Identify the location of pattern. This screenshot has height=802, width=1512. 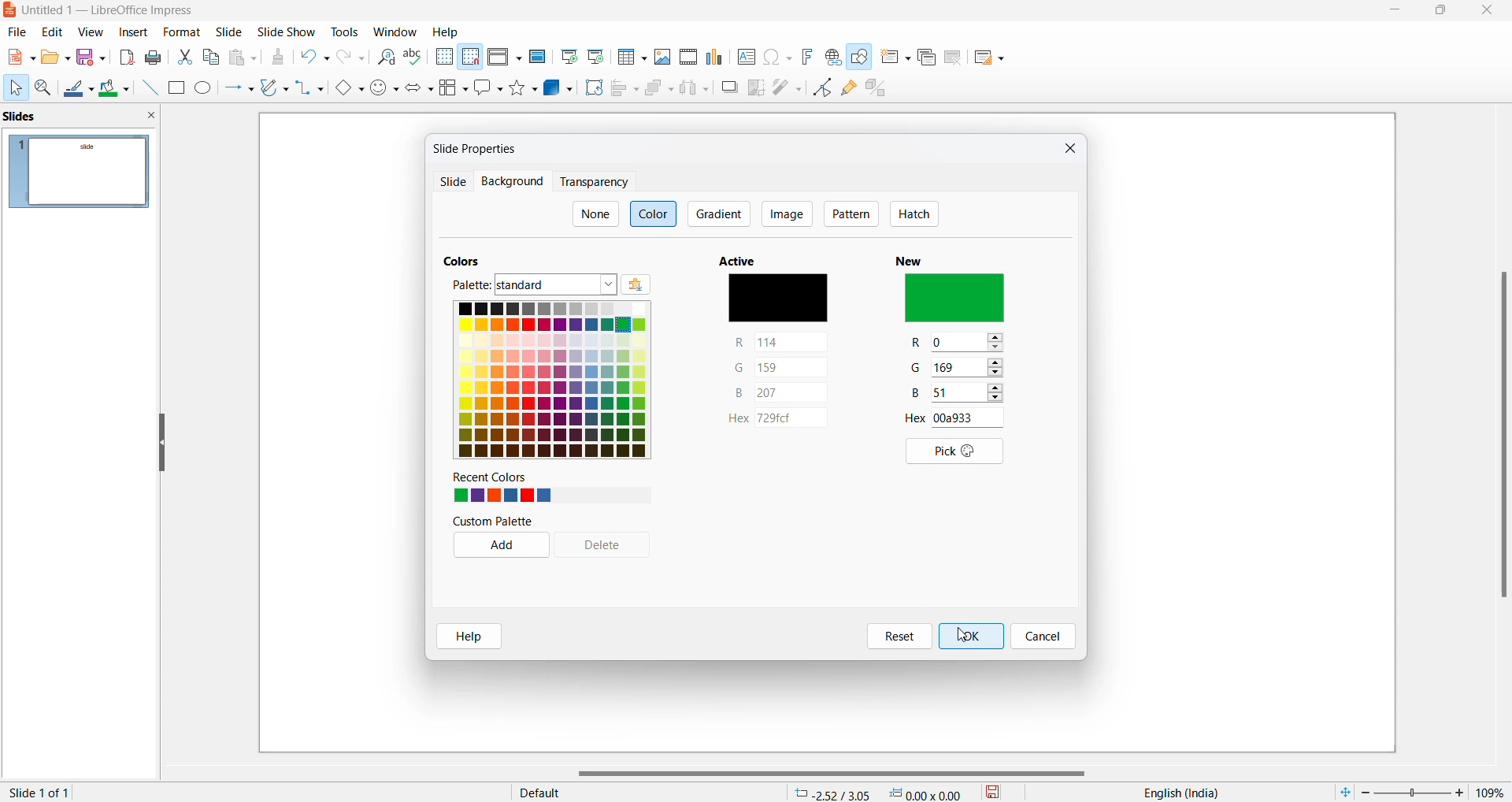
(851, 215).